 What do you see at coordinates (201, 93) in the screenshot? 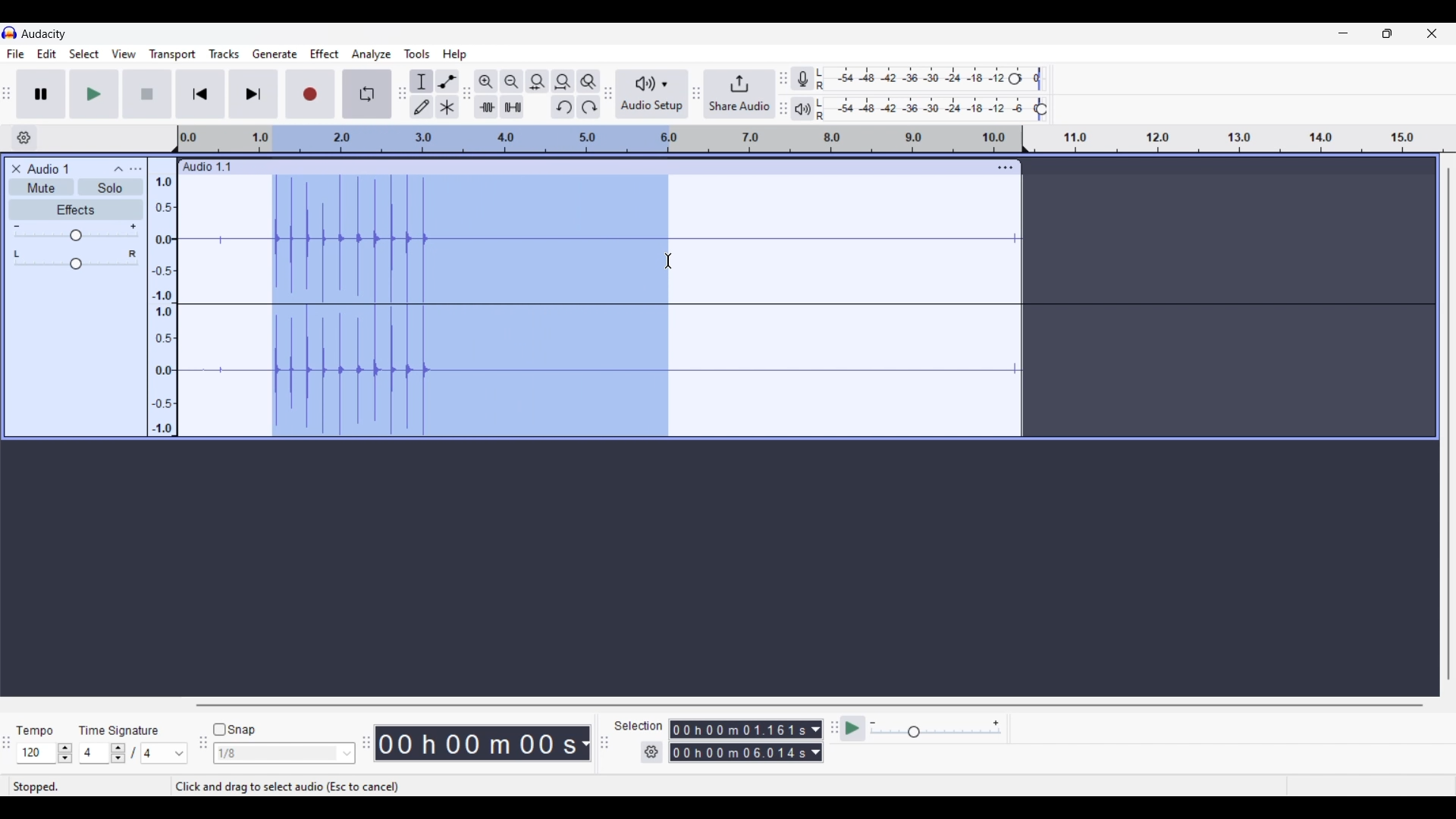
I see `Skip/Select to start` at bounding box center [201, 93].